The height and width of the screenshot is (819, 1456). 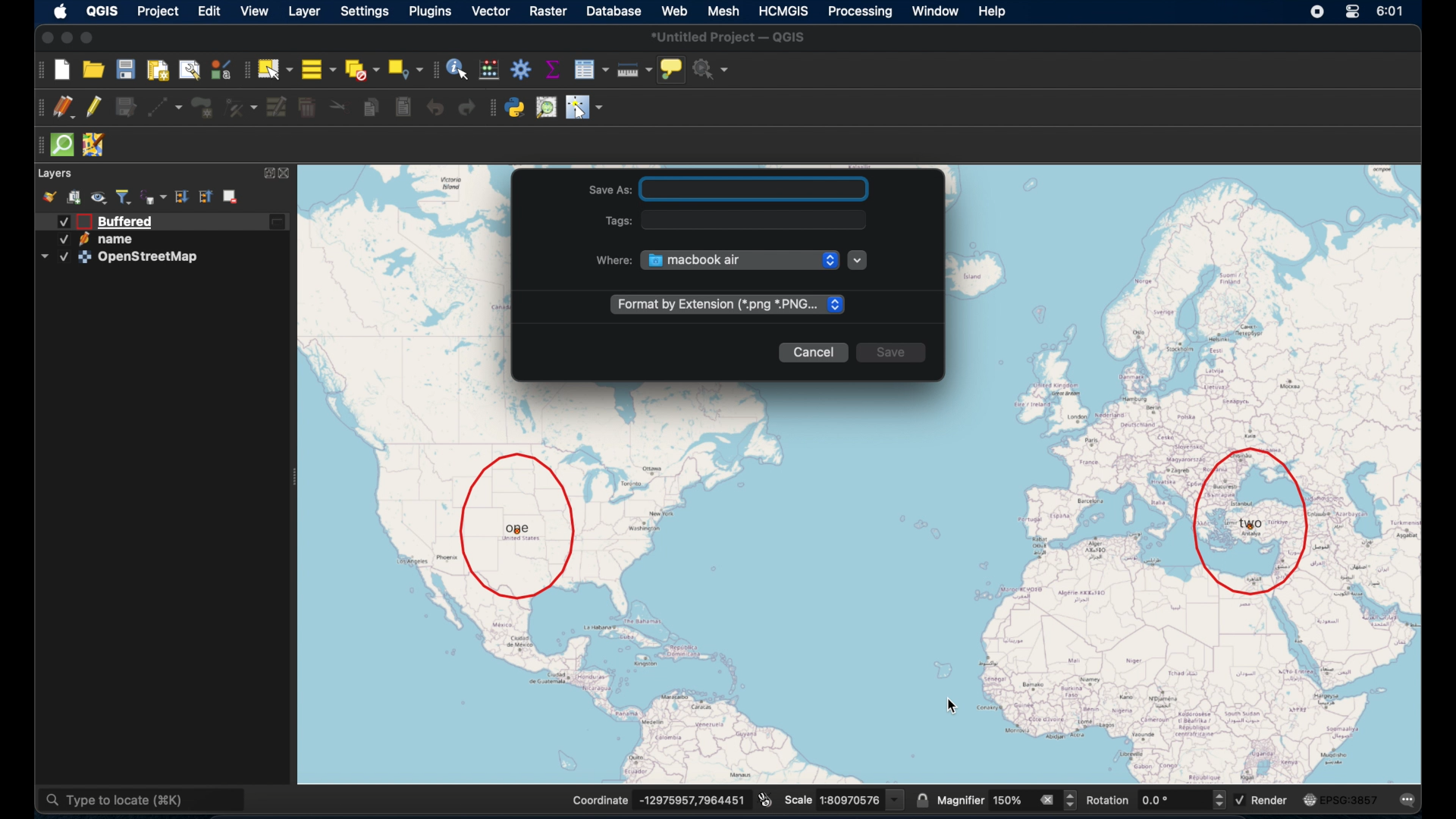 I want to click on remove all, so click(x=1046, y=799).